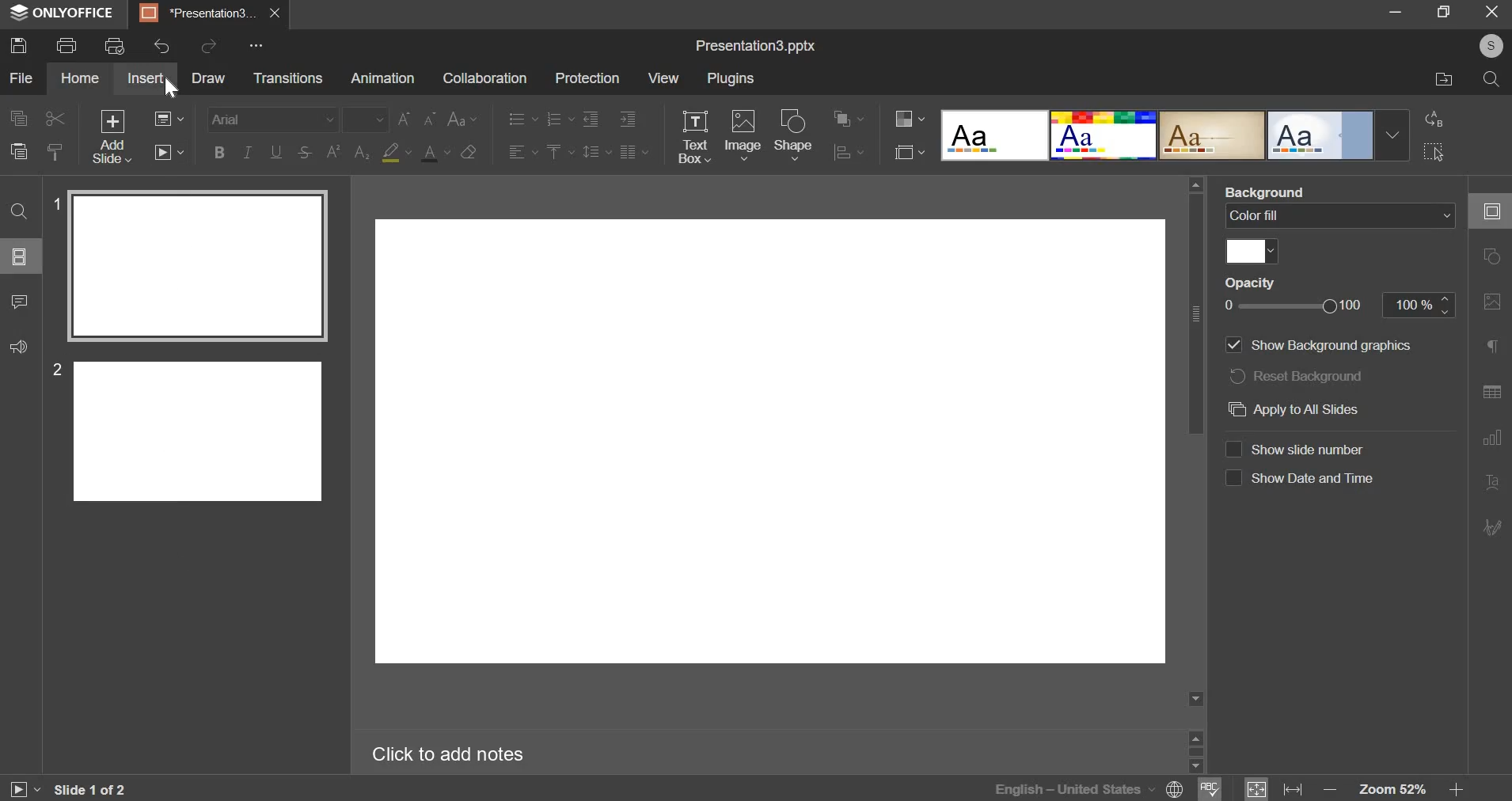 The width and height of the screenshot is (1512, 801). Describe the element at coordinates (277, 150) in the screenshot. I see `underline` at that location.